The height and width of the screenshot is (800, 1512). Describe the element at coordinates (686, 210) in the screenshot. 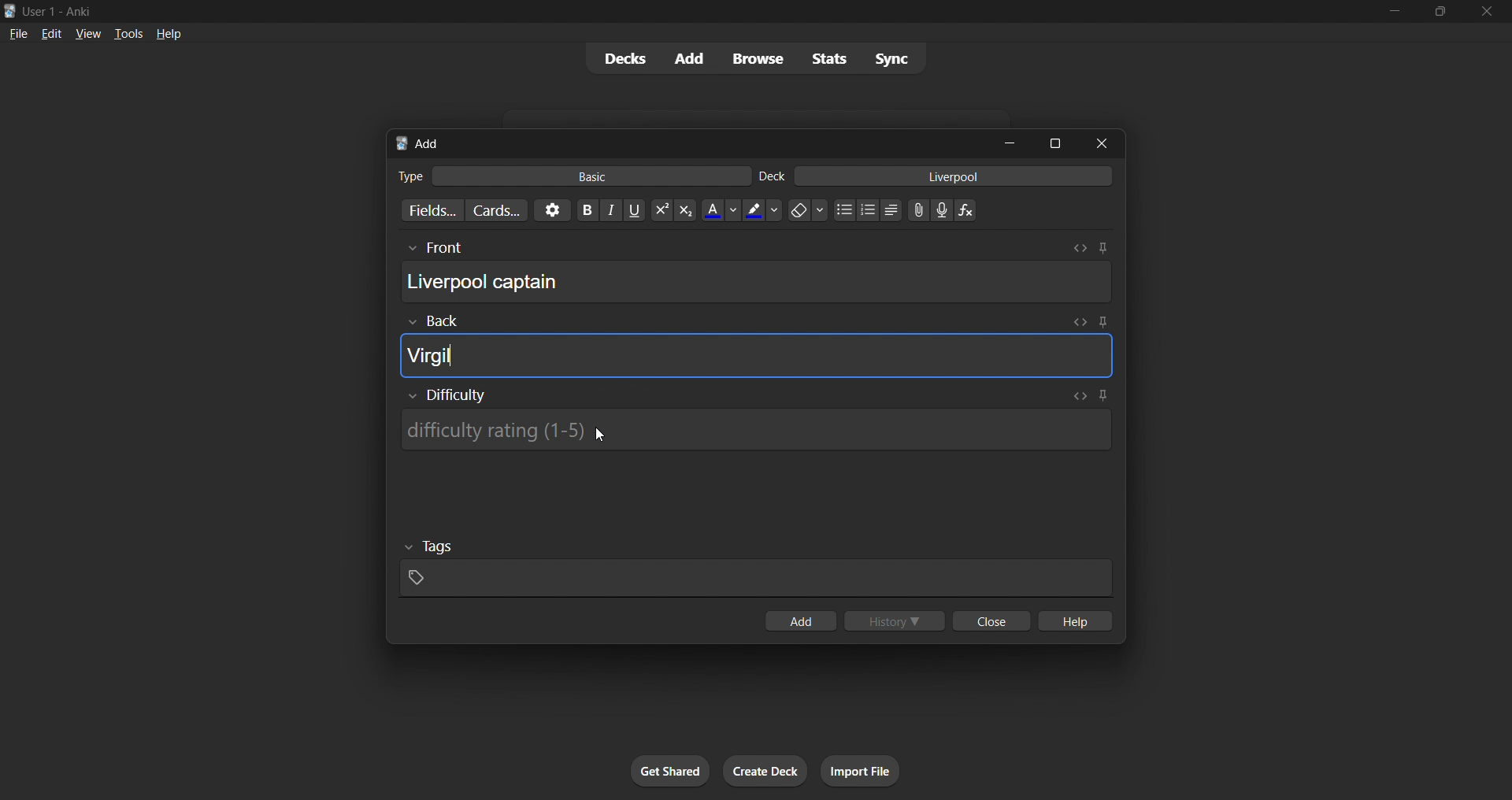

I see `Subscript` at that location.